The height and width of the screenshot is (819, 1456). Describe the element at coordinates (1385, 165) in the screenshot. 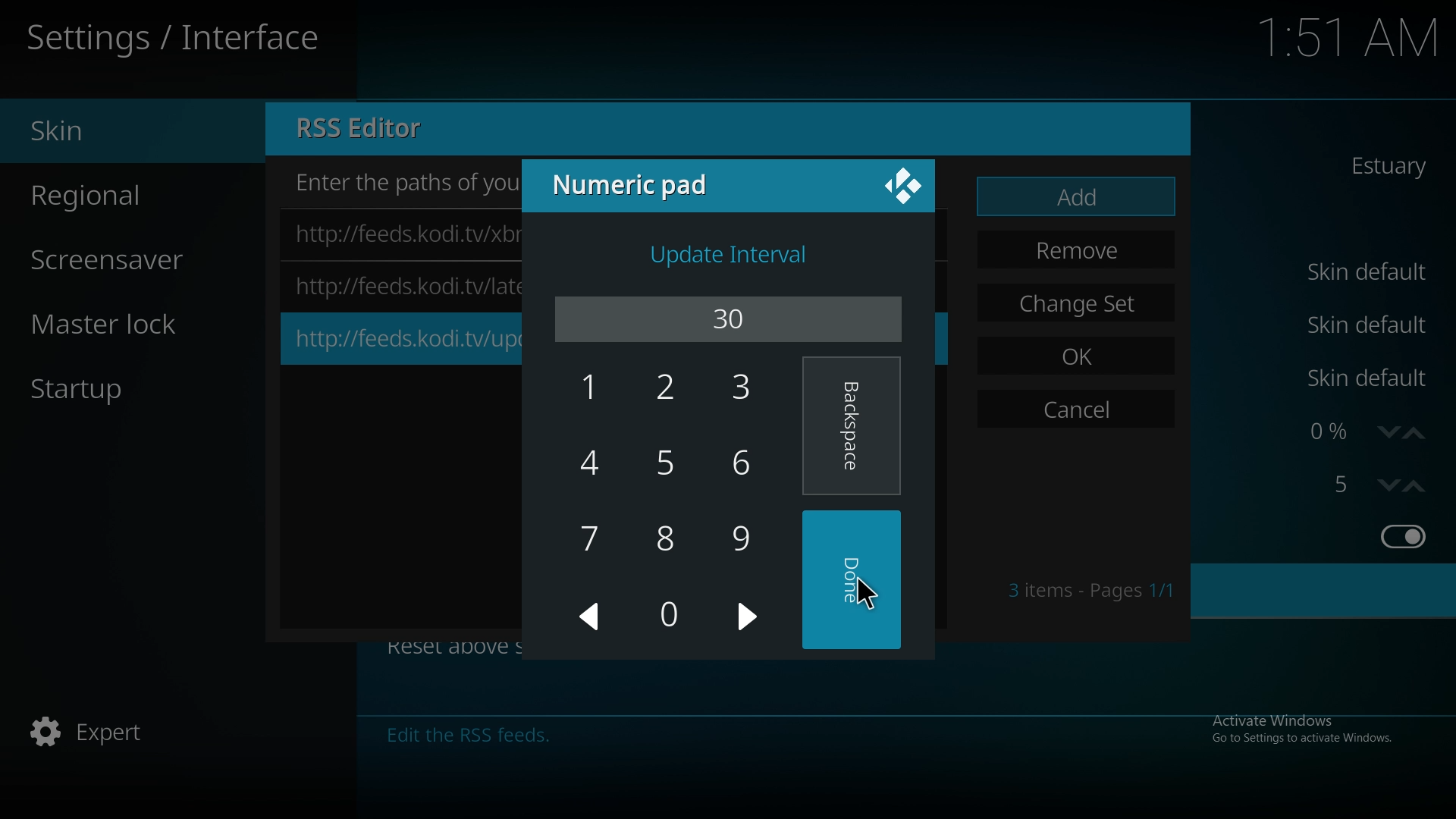

I see `skin` at that location.